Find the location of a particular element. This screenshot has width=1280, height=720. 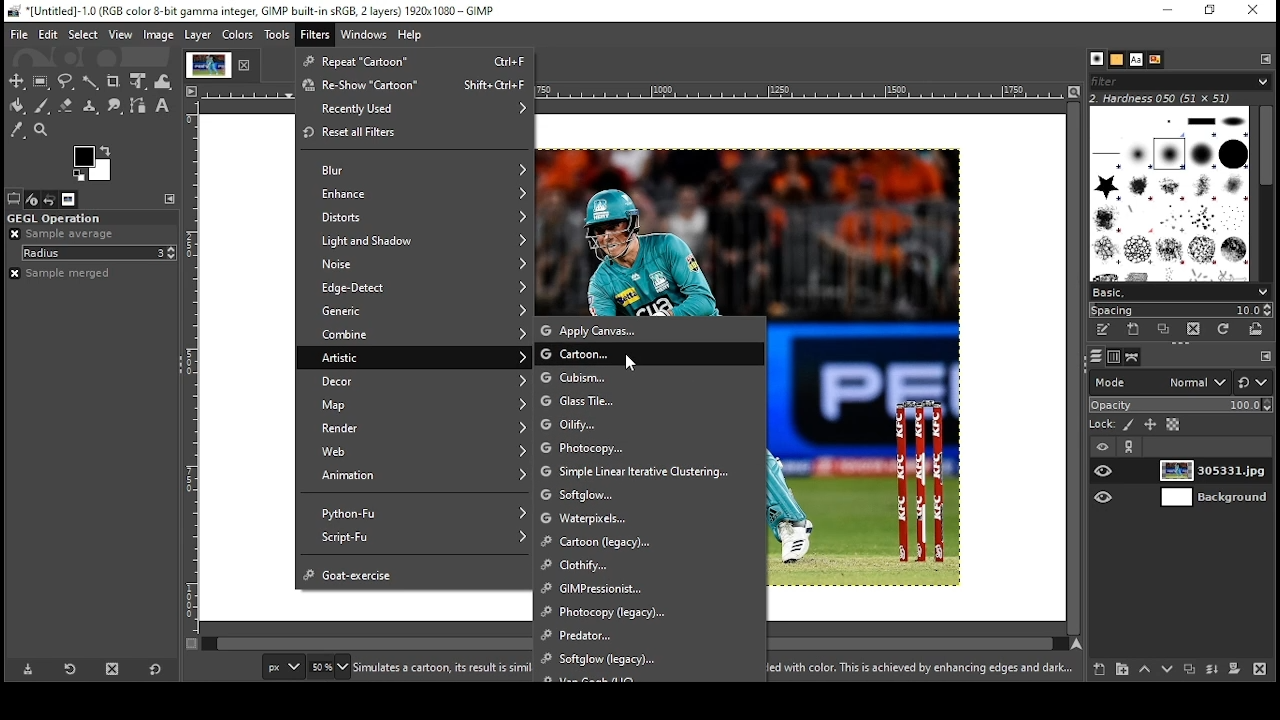

select brush collection is located at coordinates (1178, 292).